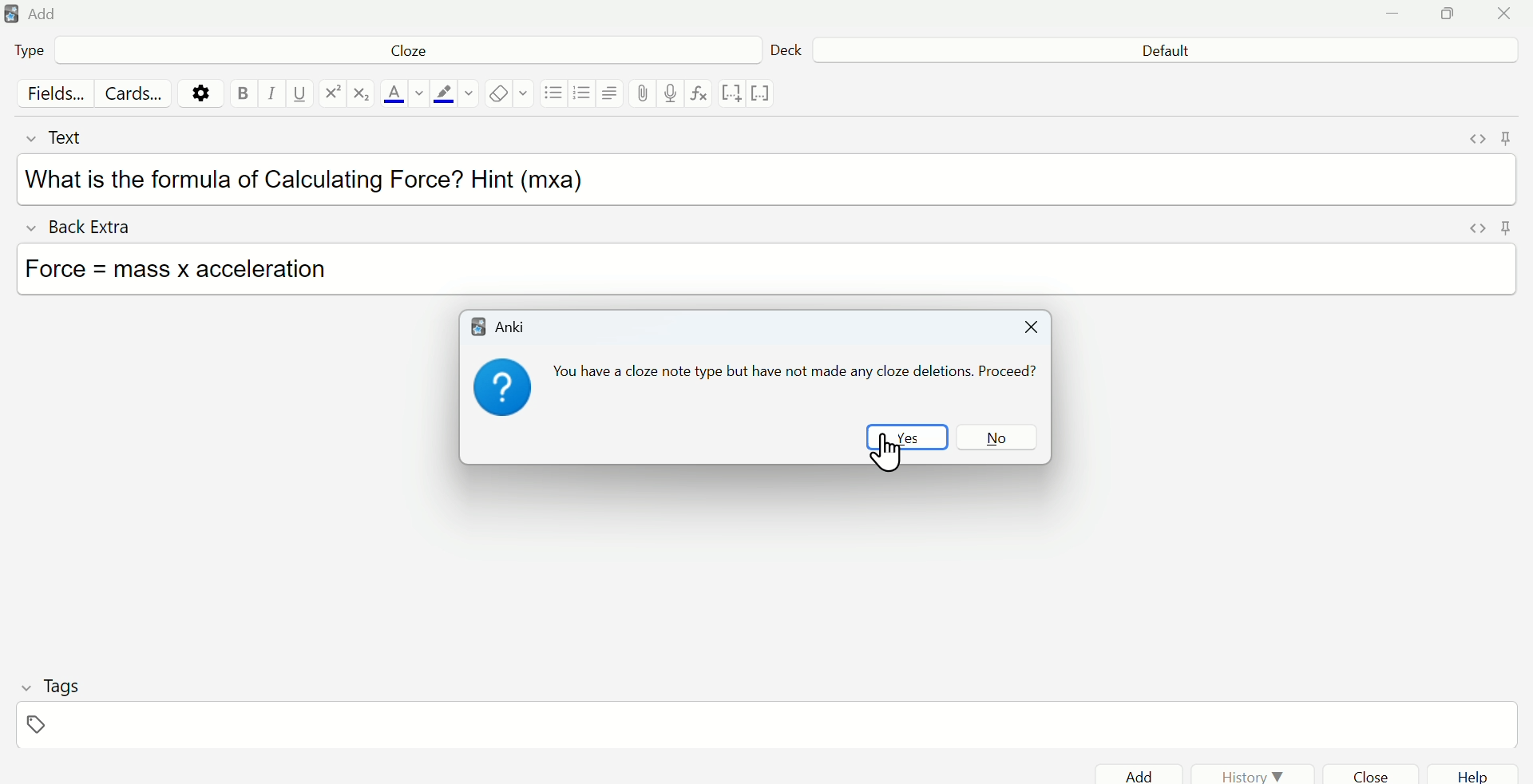 Image resolution: width=1533 pixels, height=784 pixels. What do you see at coordinates (584, 96) in the screenshot?
I see `Numbered list` at bounding box center [584, 96].